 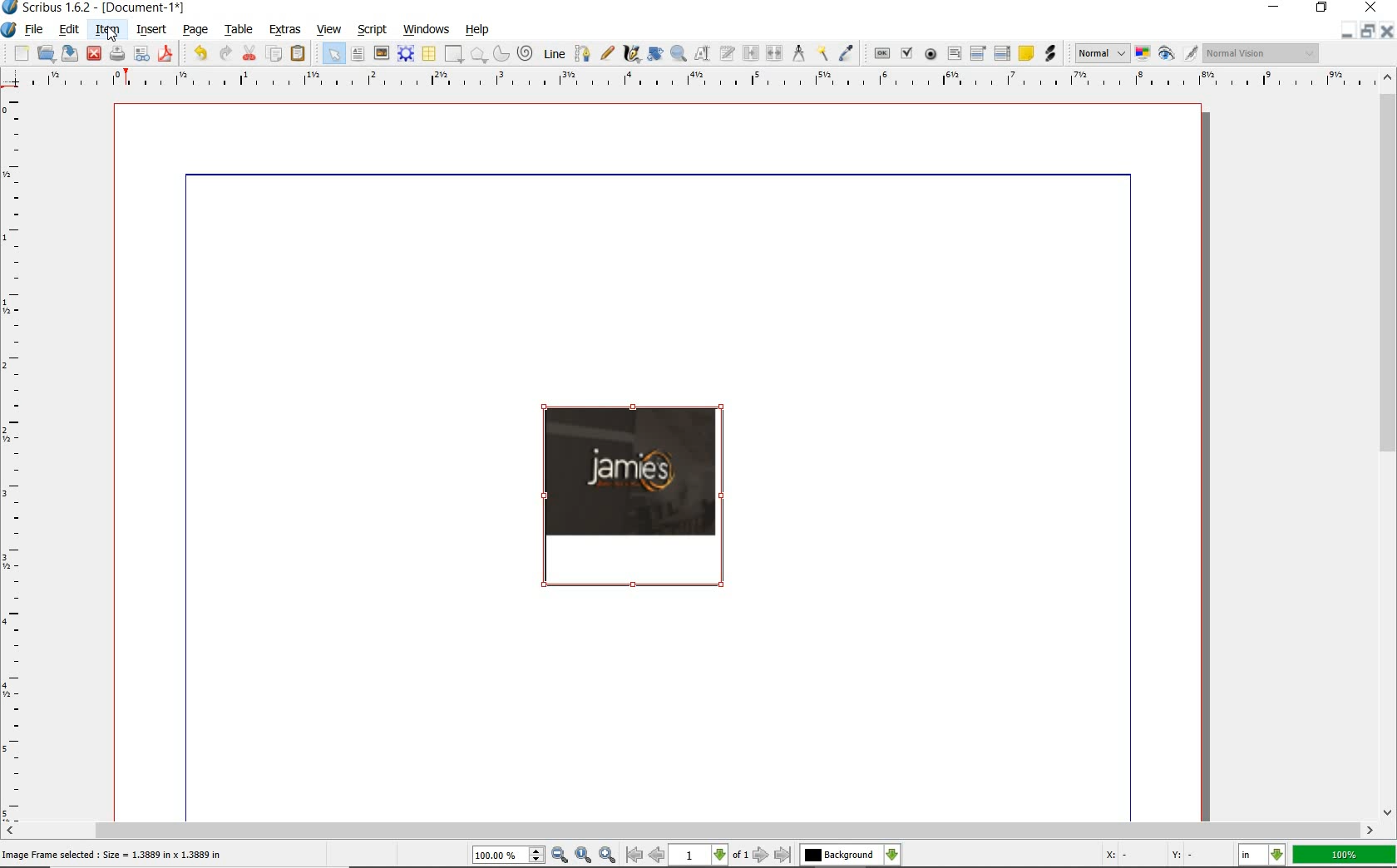 I want to click on redo, so click(x=225, y=54).